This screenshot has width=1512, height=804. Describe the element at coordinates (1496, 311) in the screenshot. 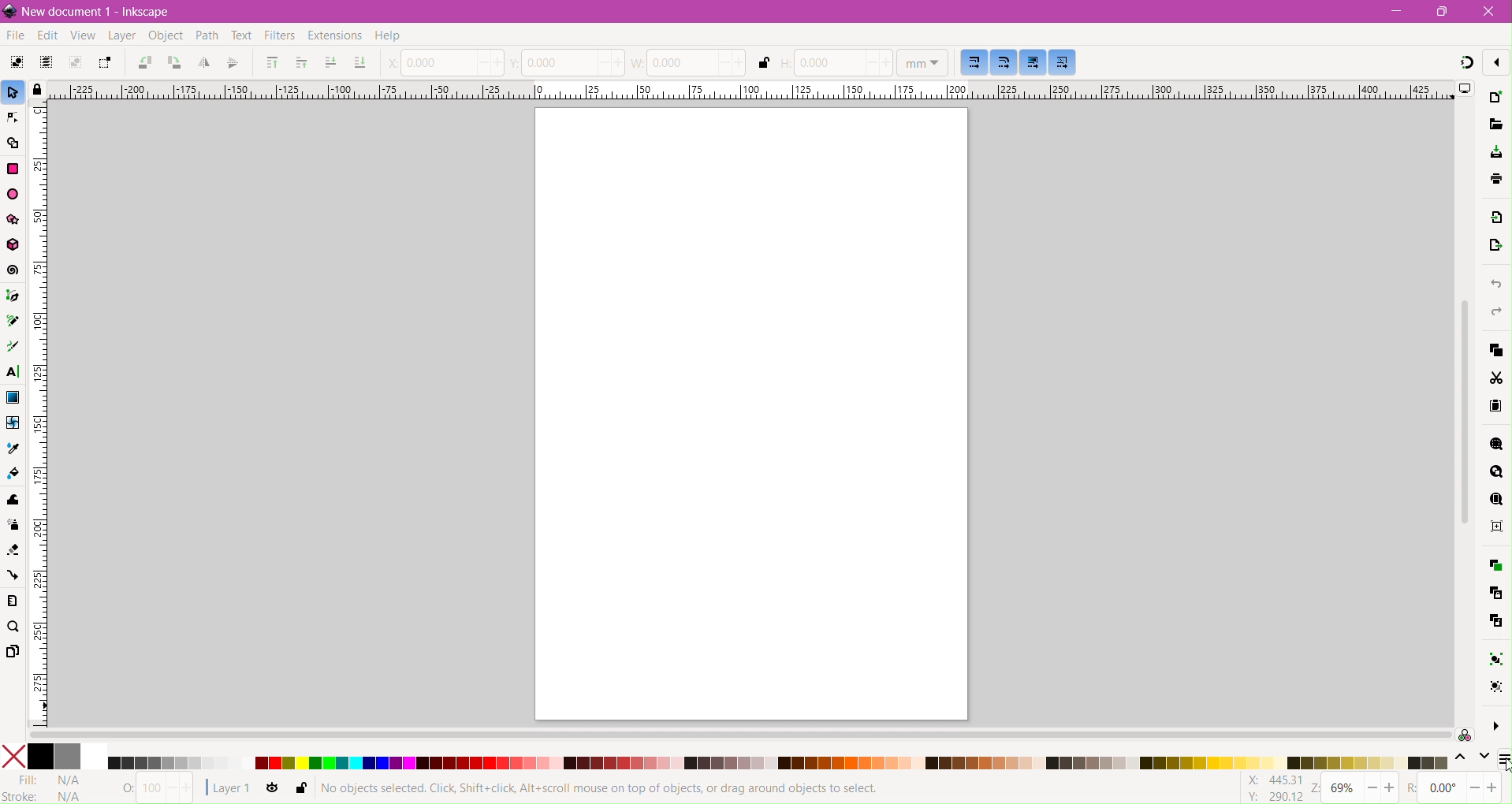

I see `Redo` at that location.